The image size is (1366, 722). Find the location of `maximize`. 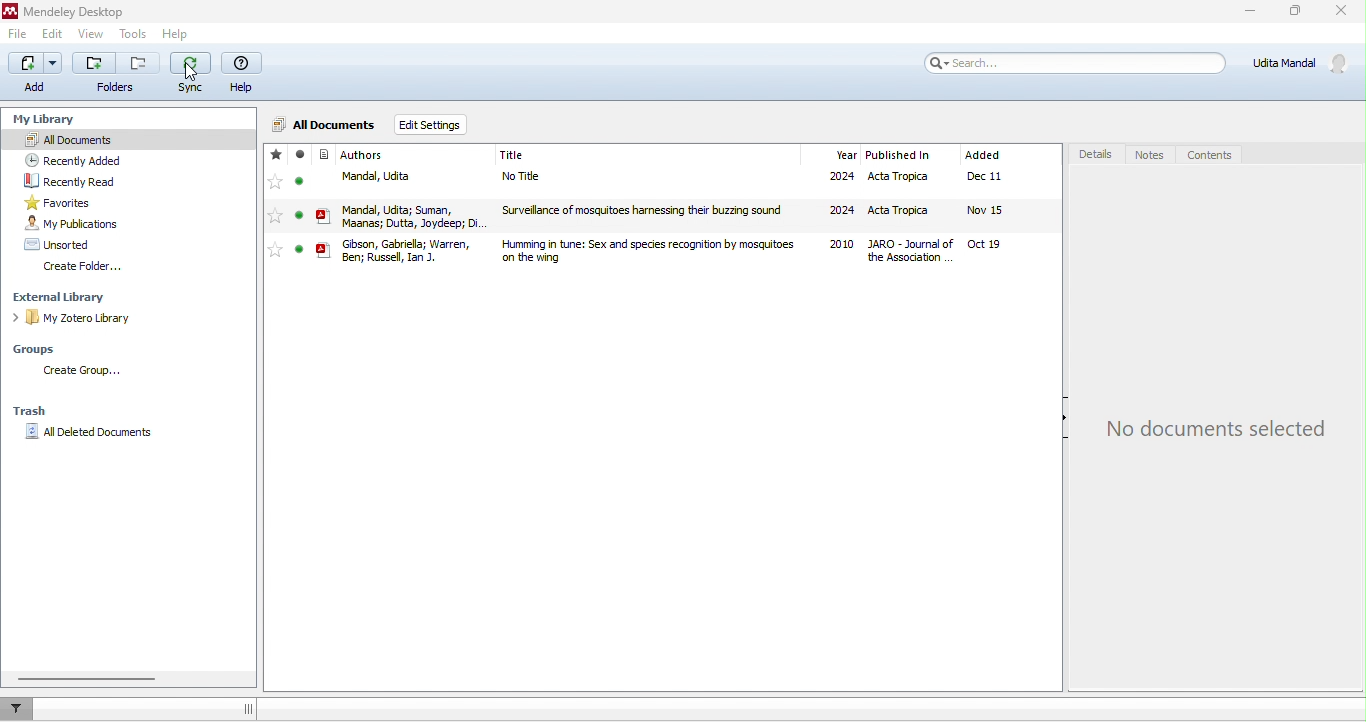

maximize is located at coordinates (1301, 12).